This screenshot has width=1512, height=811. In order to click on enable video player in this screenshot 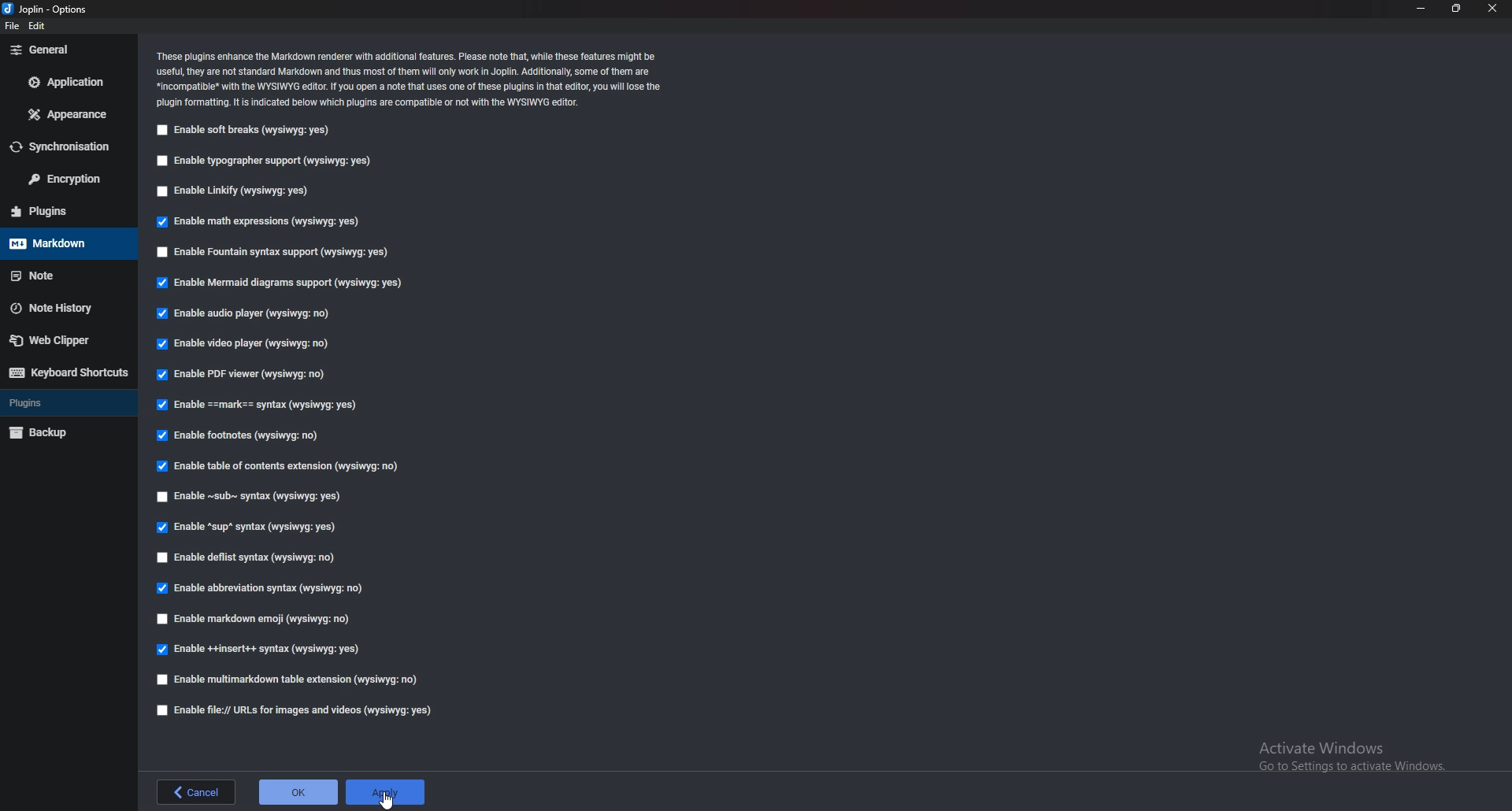, I will do `click(243, 344)`.